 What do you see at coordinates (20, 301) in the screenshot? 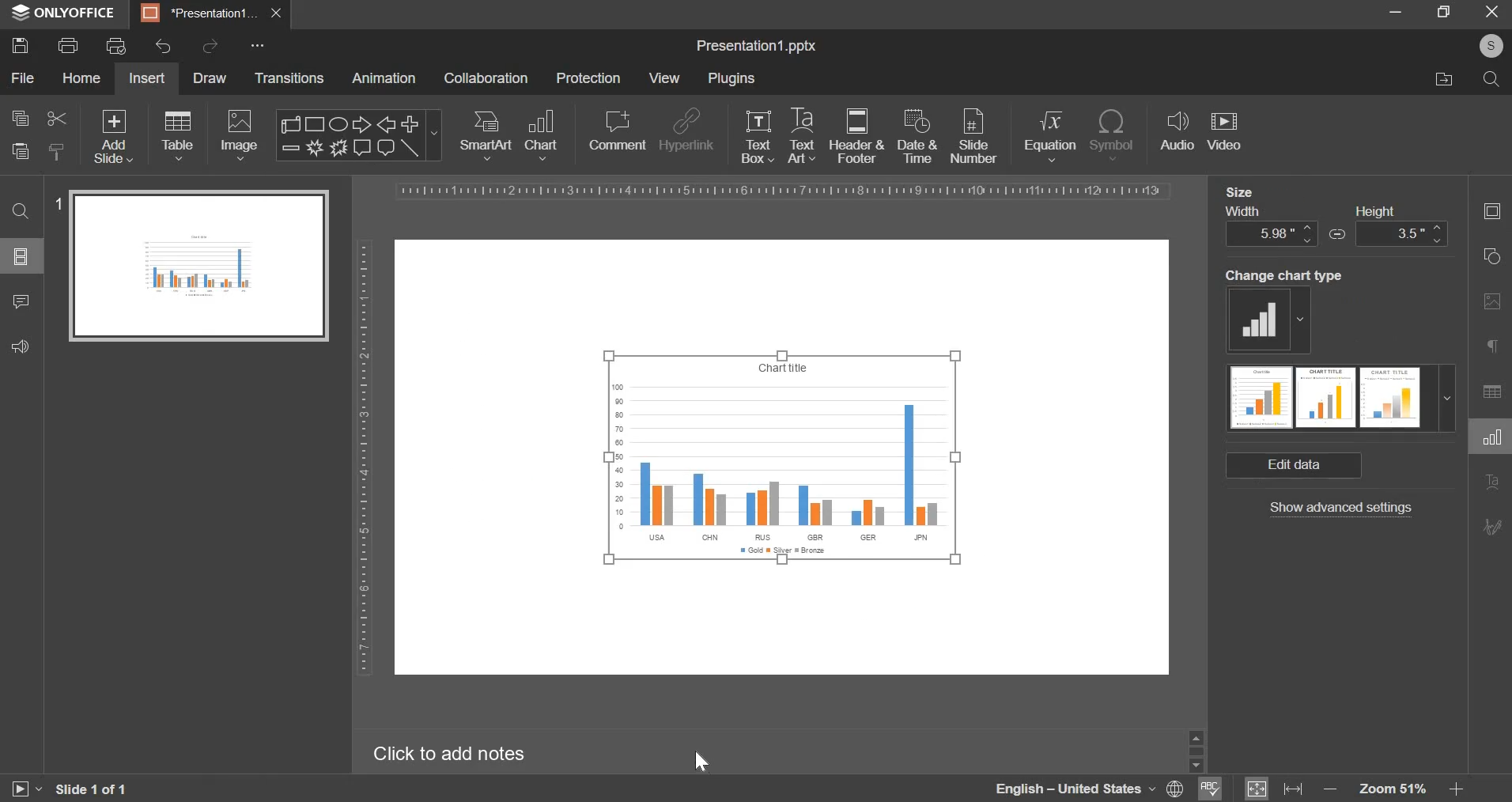
I see `comments` at bounding box center [20, 301].